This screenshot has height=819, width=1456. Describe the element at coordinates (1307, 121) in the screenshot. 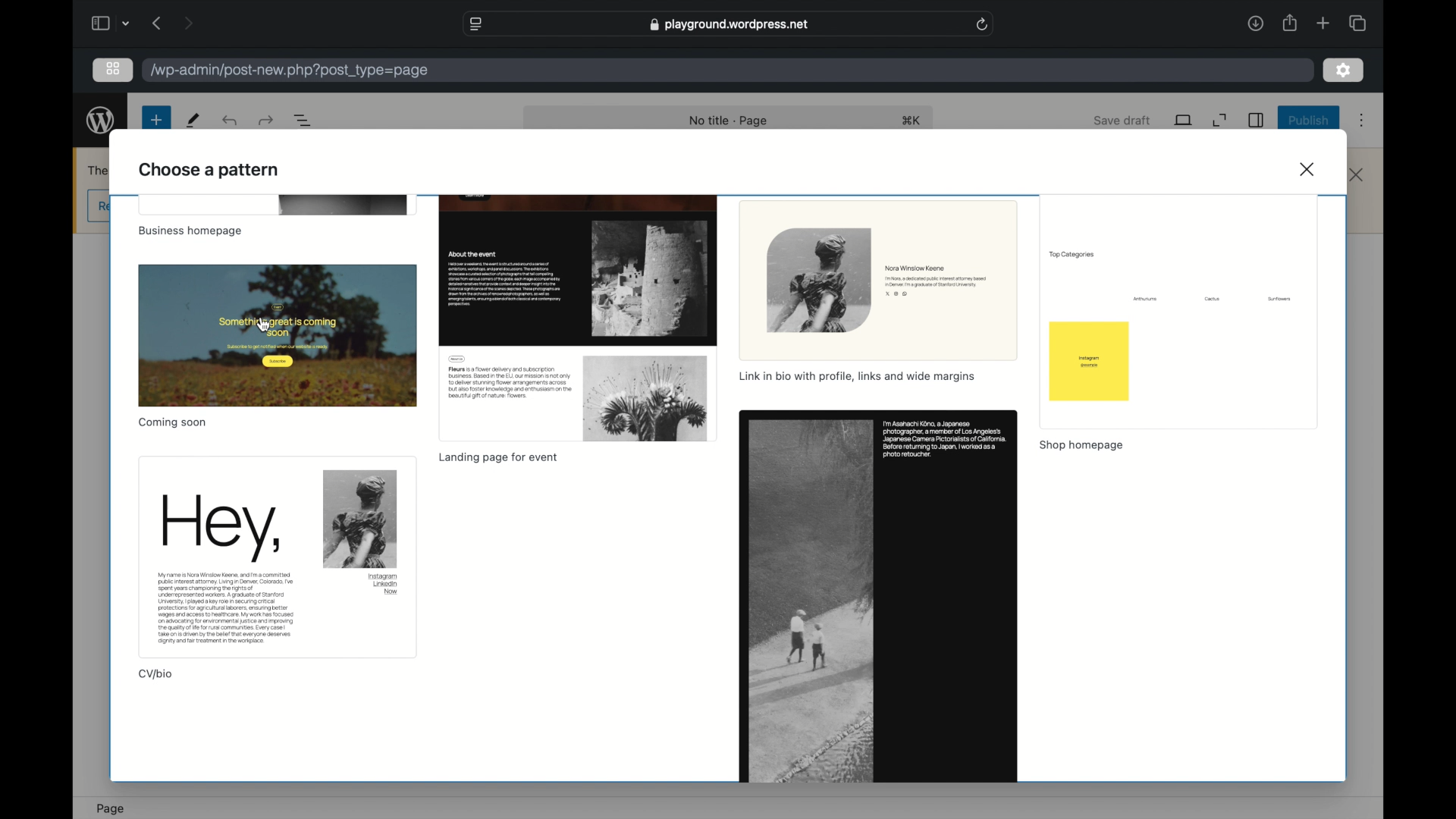

I see `publish` at that location.